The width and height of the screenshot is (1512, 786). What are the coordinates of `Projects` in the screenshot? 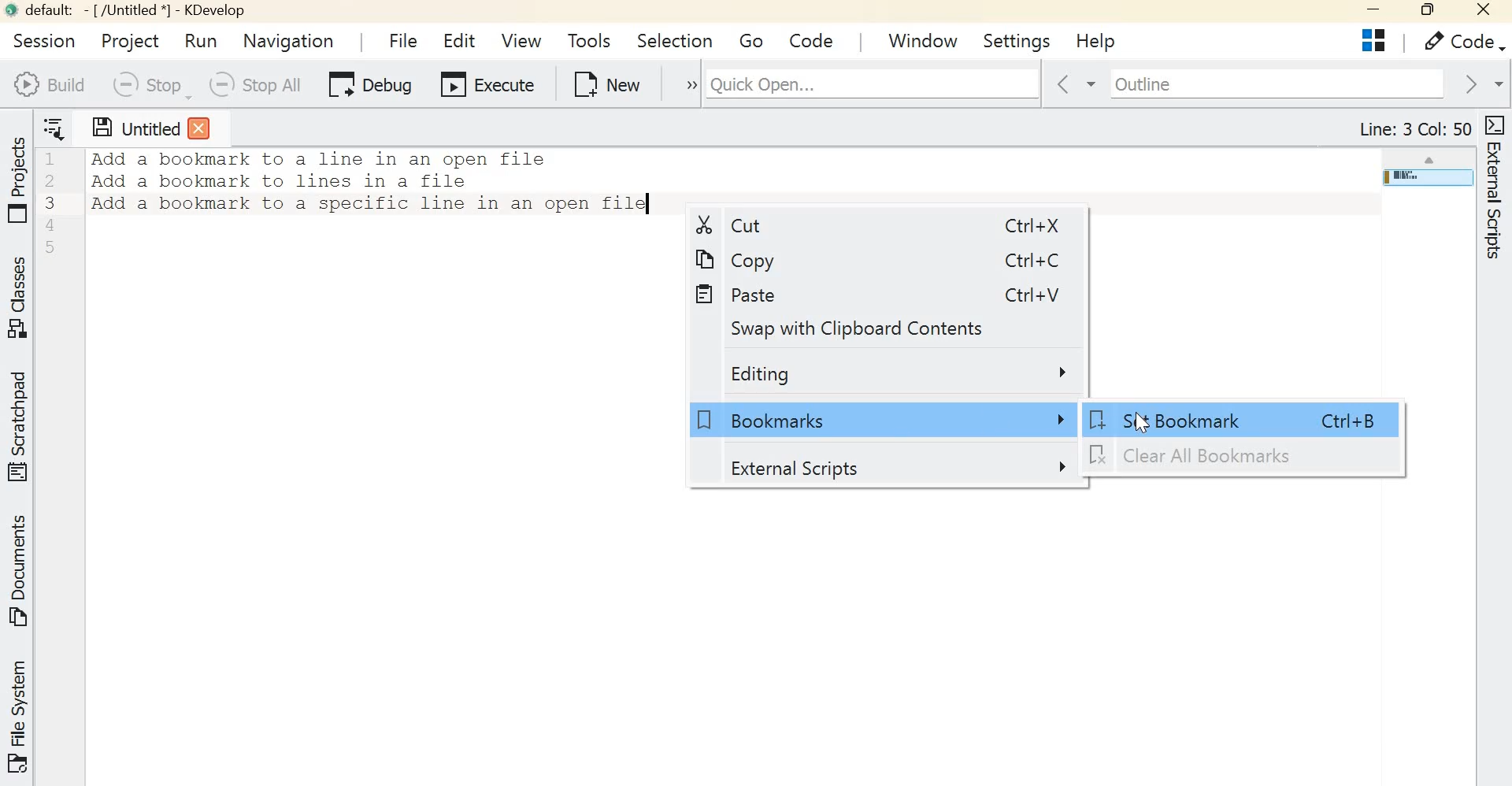 It's located at (18, 180).